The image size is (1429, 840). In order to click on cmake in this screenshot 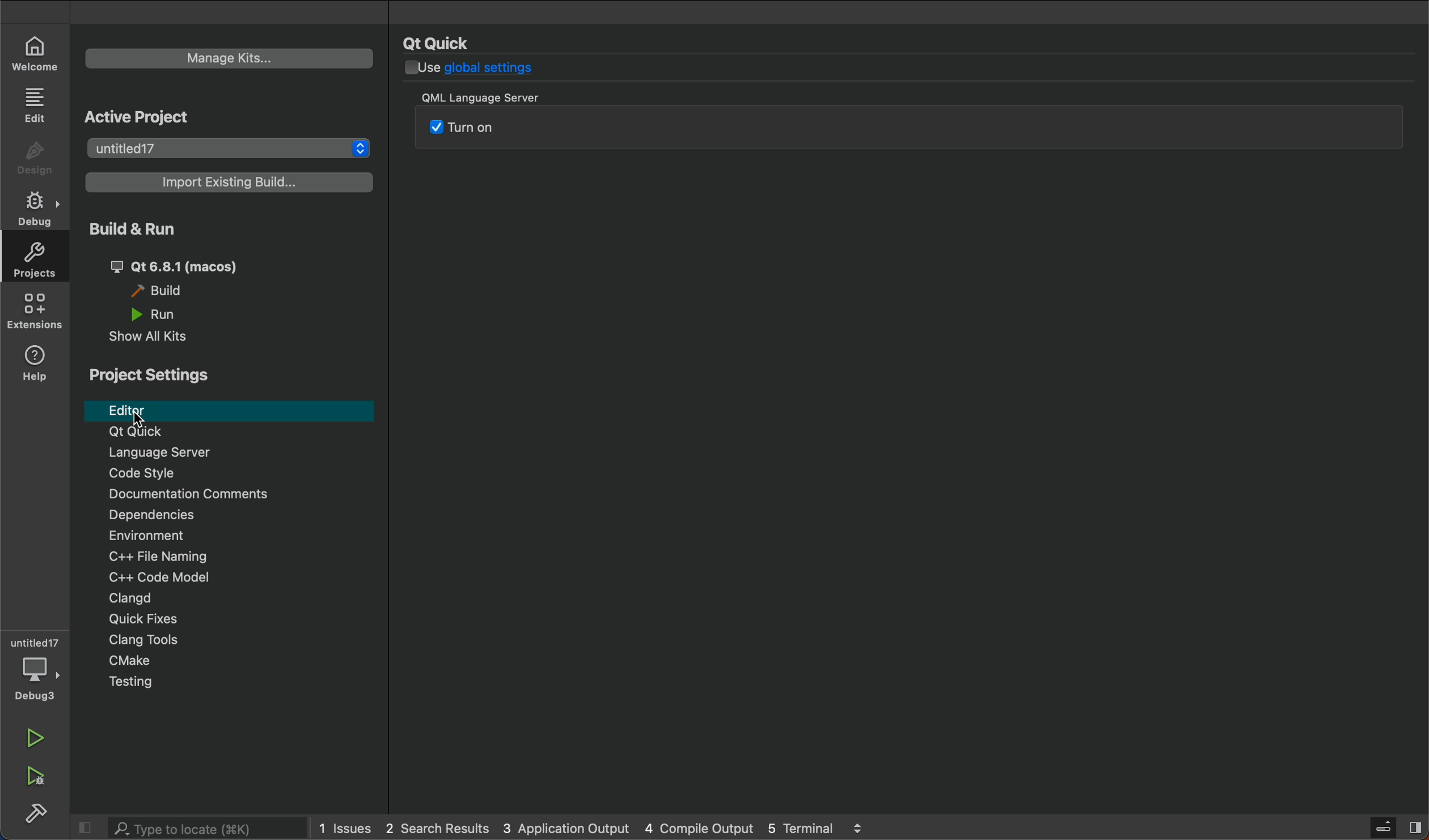, I will do `click(217, 662)`.